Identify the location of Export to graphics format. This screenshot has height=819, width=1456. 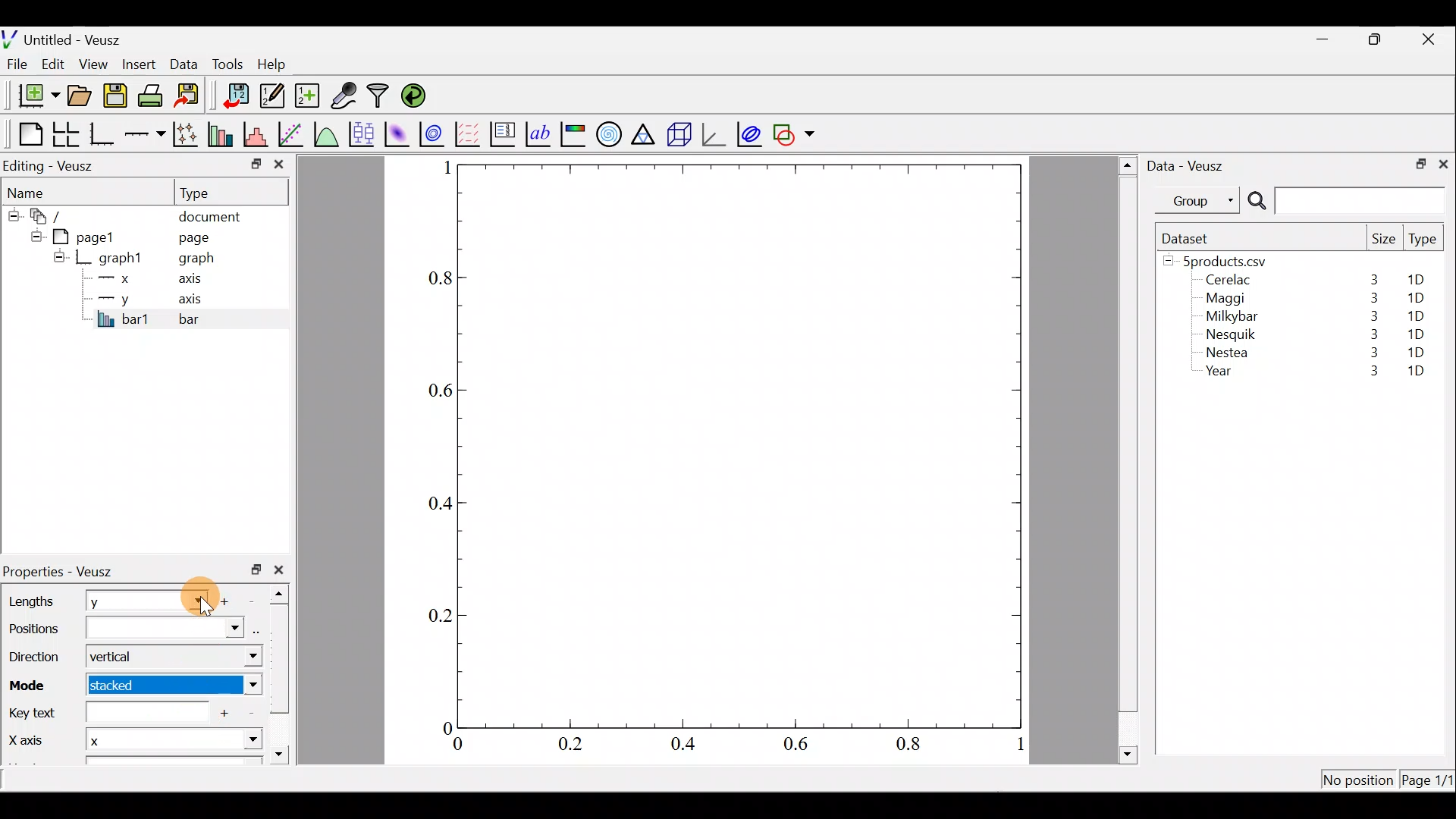
(192, 96).